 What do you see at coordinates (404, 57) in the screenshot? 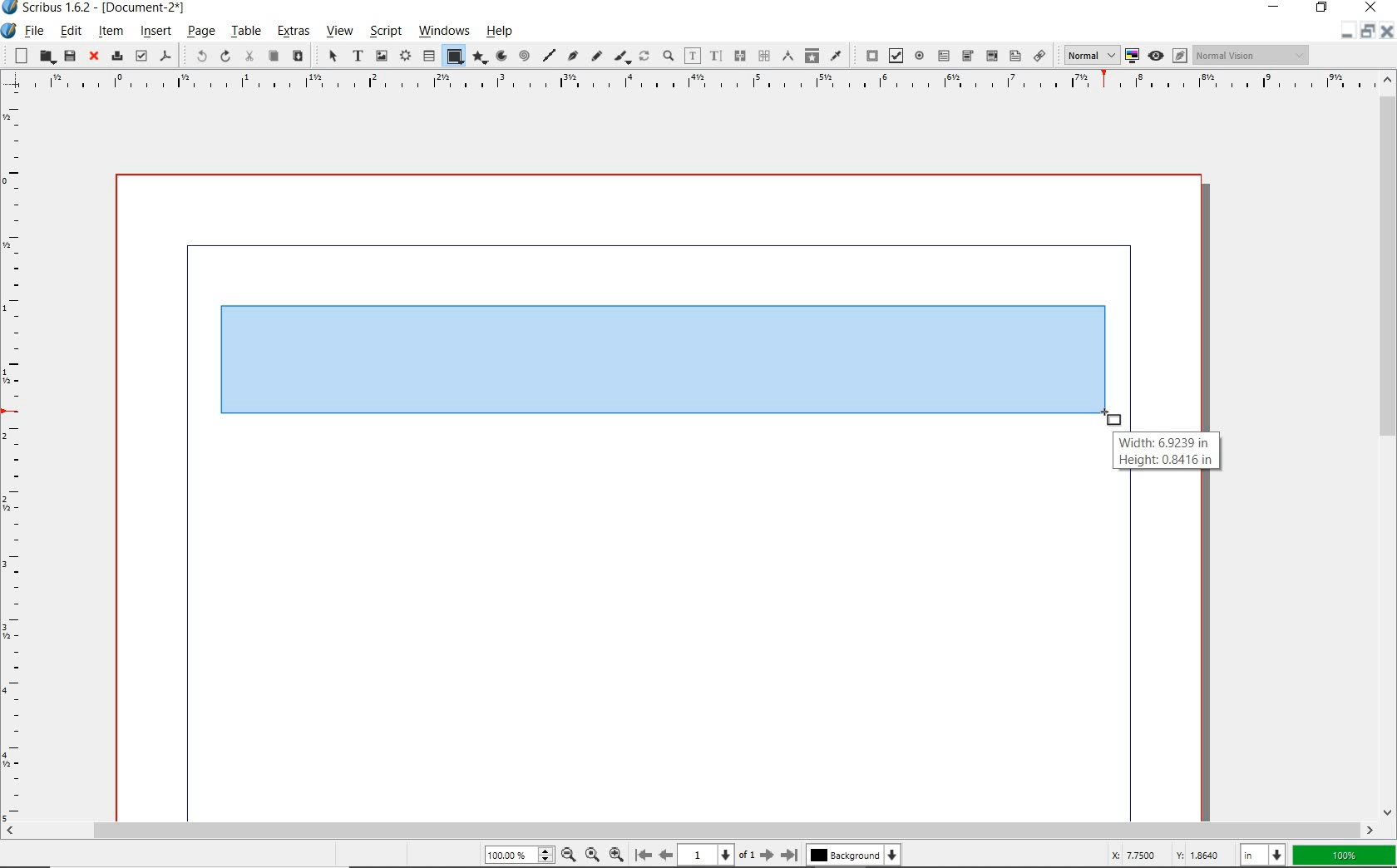
I see `render frame` at bounding box center [404, 57].